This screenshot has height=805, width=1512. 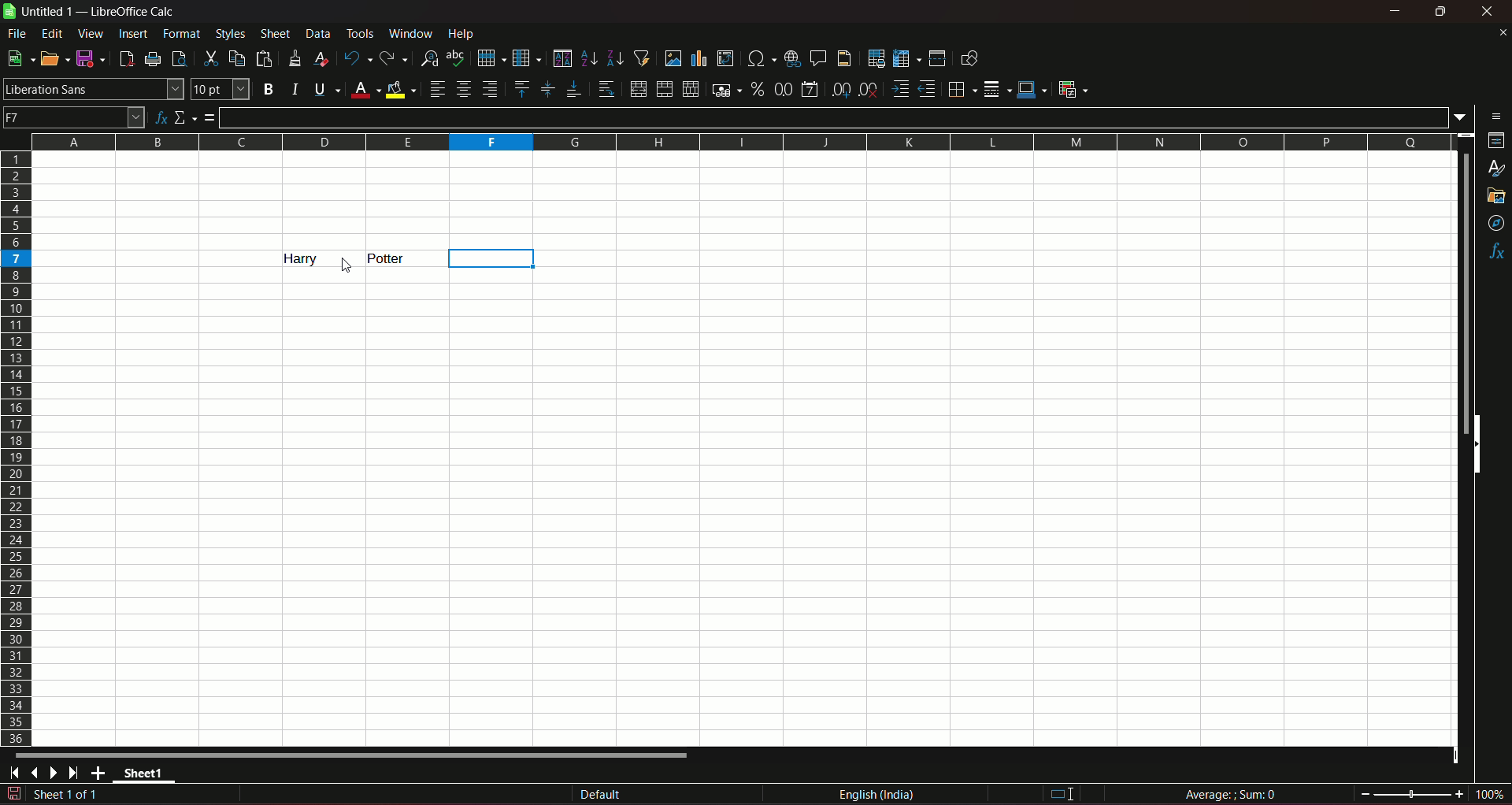 What do you see at coordinates (183, 33) in the screenshot?
I see `format` at bounding box center [183, 33].